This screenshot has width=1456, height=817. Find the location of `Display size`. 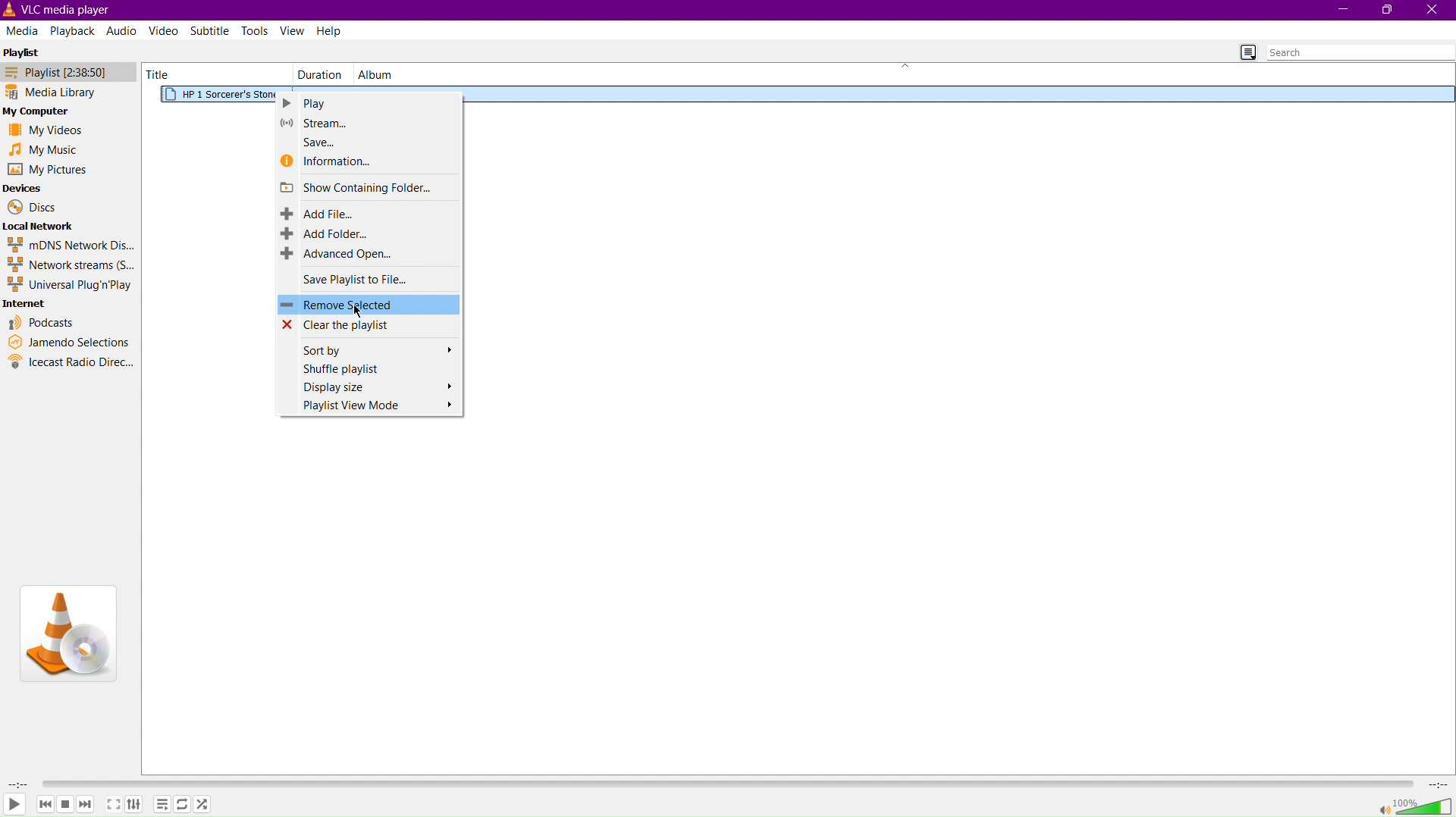

Display size is located at coordinates (369, 386).